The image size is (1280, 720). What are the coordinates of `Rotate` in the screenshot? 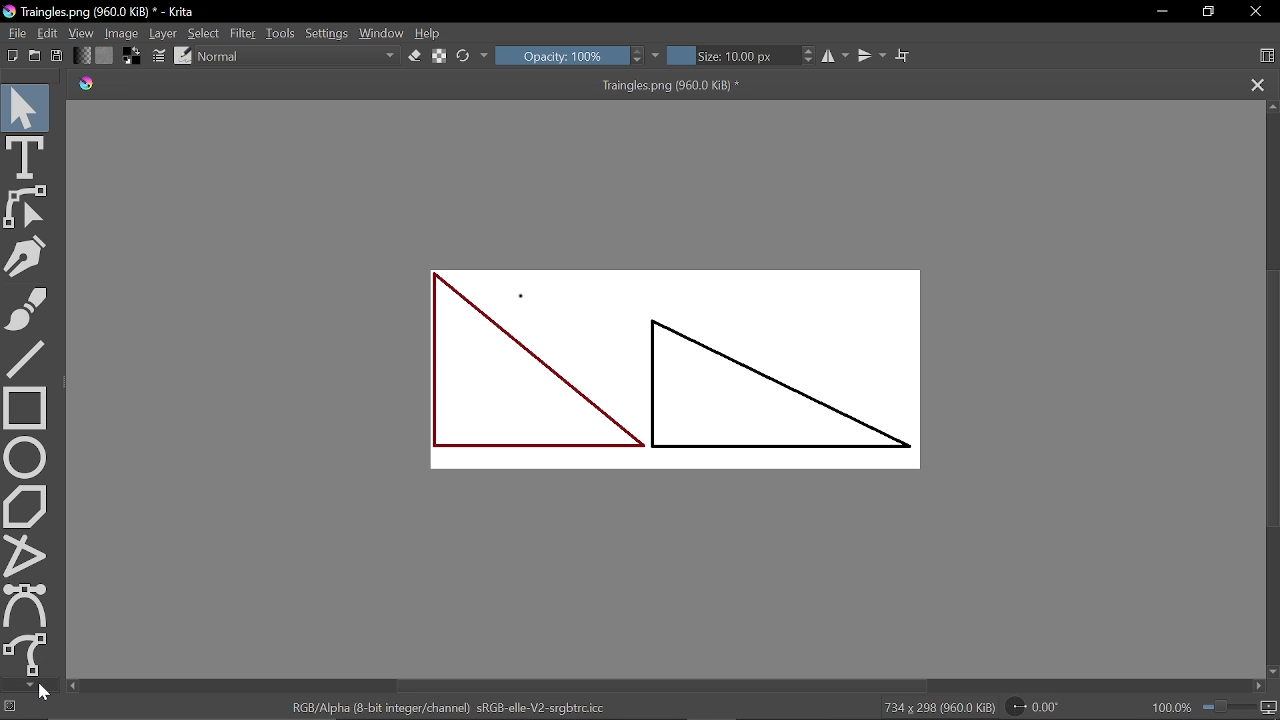 It's located at (1038, 706).